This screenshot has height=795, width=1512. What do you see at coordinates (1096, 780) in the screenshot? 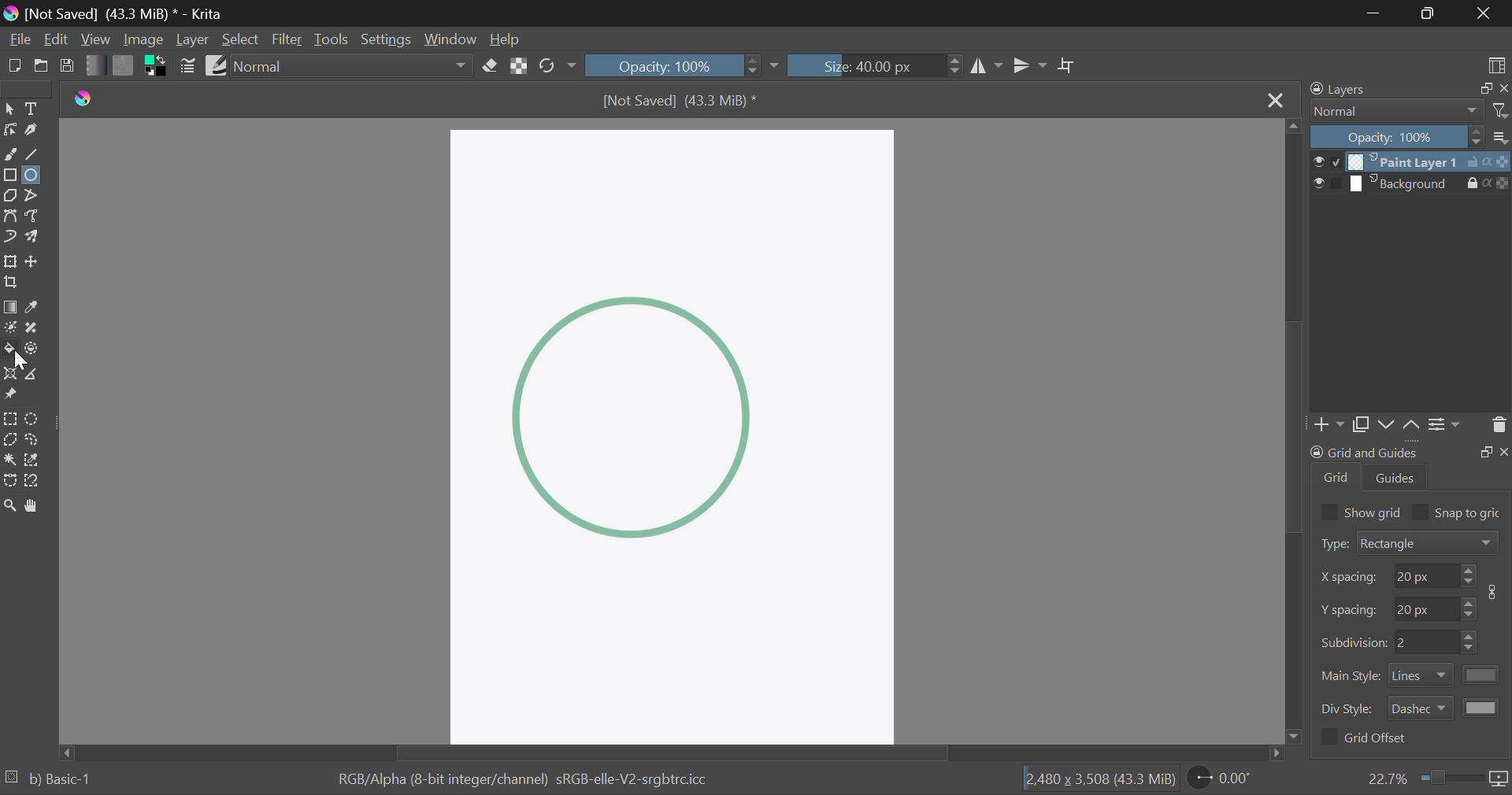
I see `Document Dimensions` at bounding box center [1096, 780].